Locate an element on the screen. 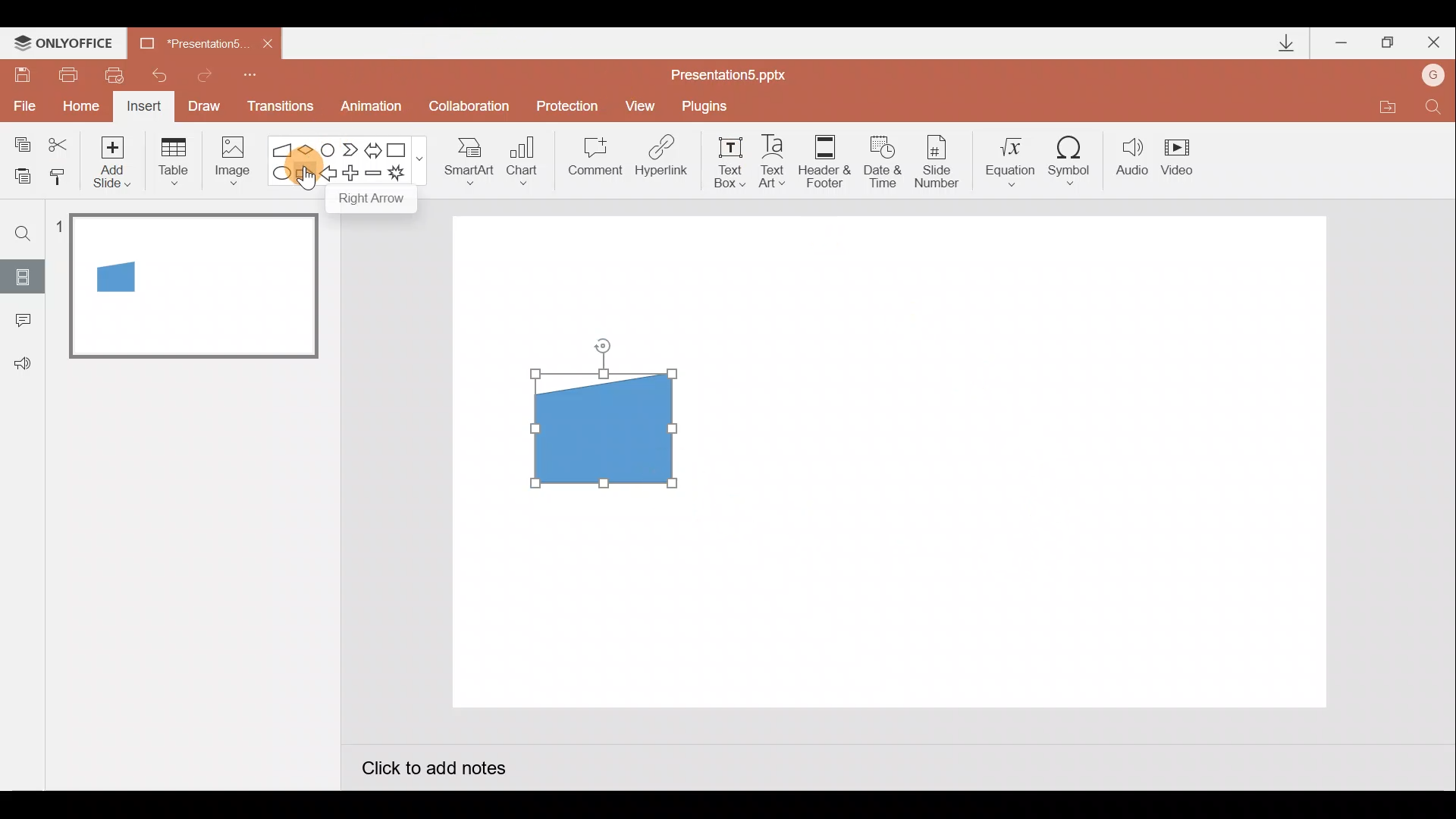 The height and width of the screenshot is (819, 1456). Ellipse is located at coordinates (278, 174).